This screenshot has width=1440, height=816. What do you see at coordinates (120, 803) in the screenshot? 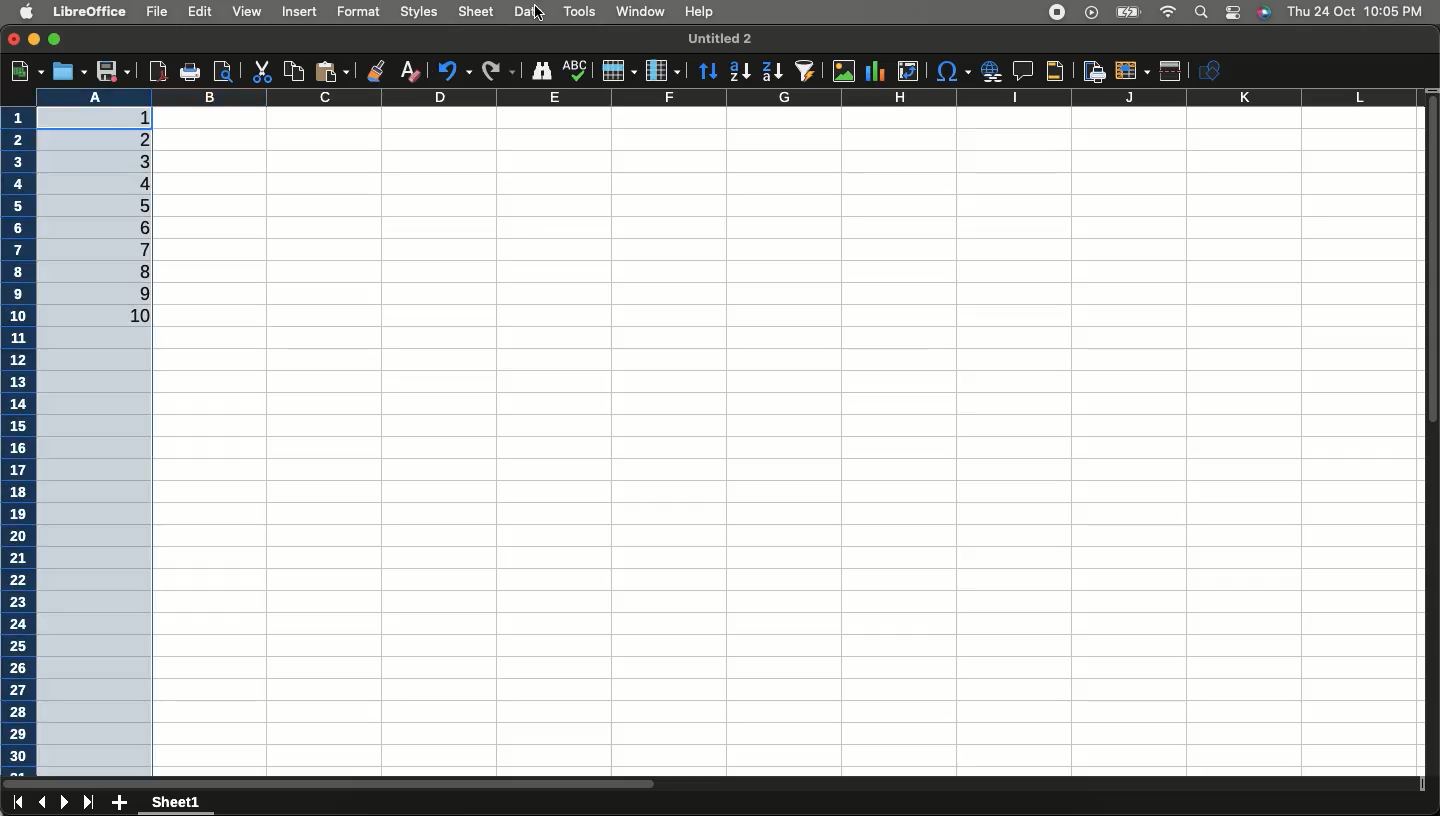
I see `Add new sheet` at bounding box center [120, 803].